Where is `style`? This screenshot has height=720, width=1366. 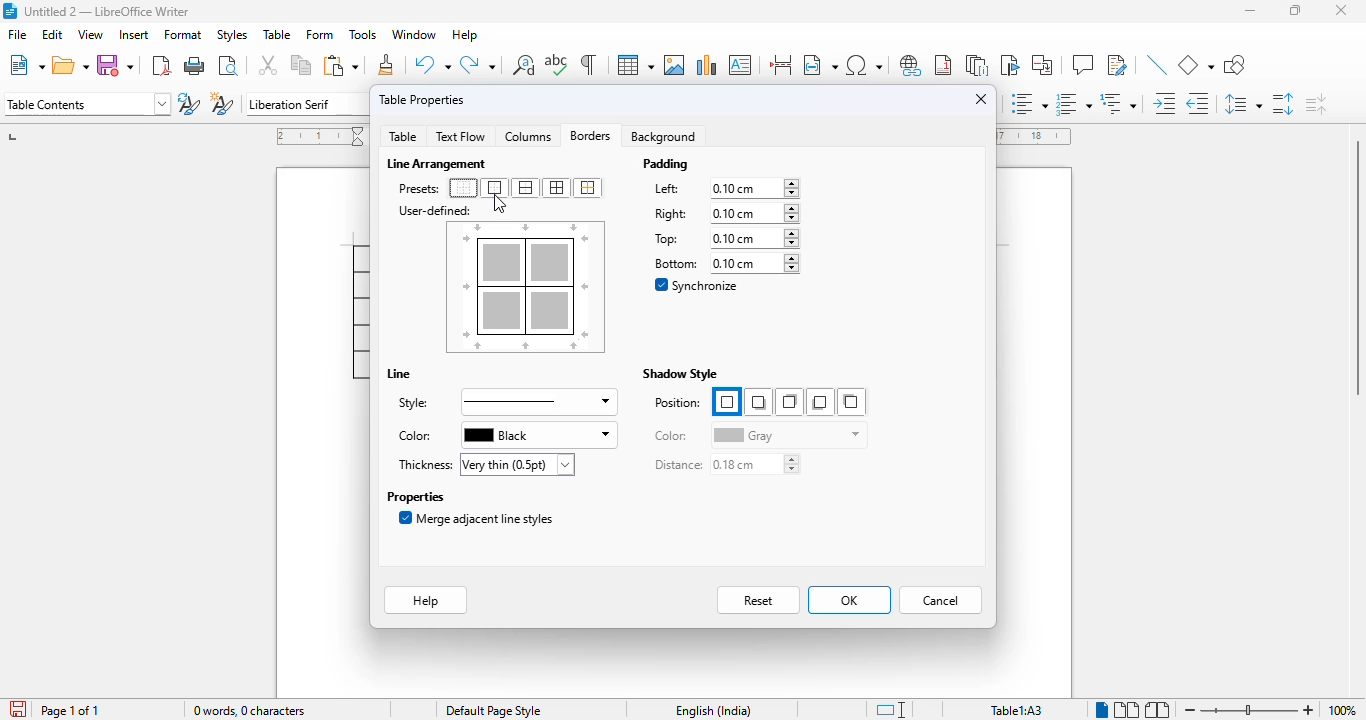 style is located at coordinates (505, 402).